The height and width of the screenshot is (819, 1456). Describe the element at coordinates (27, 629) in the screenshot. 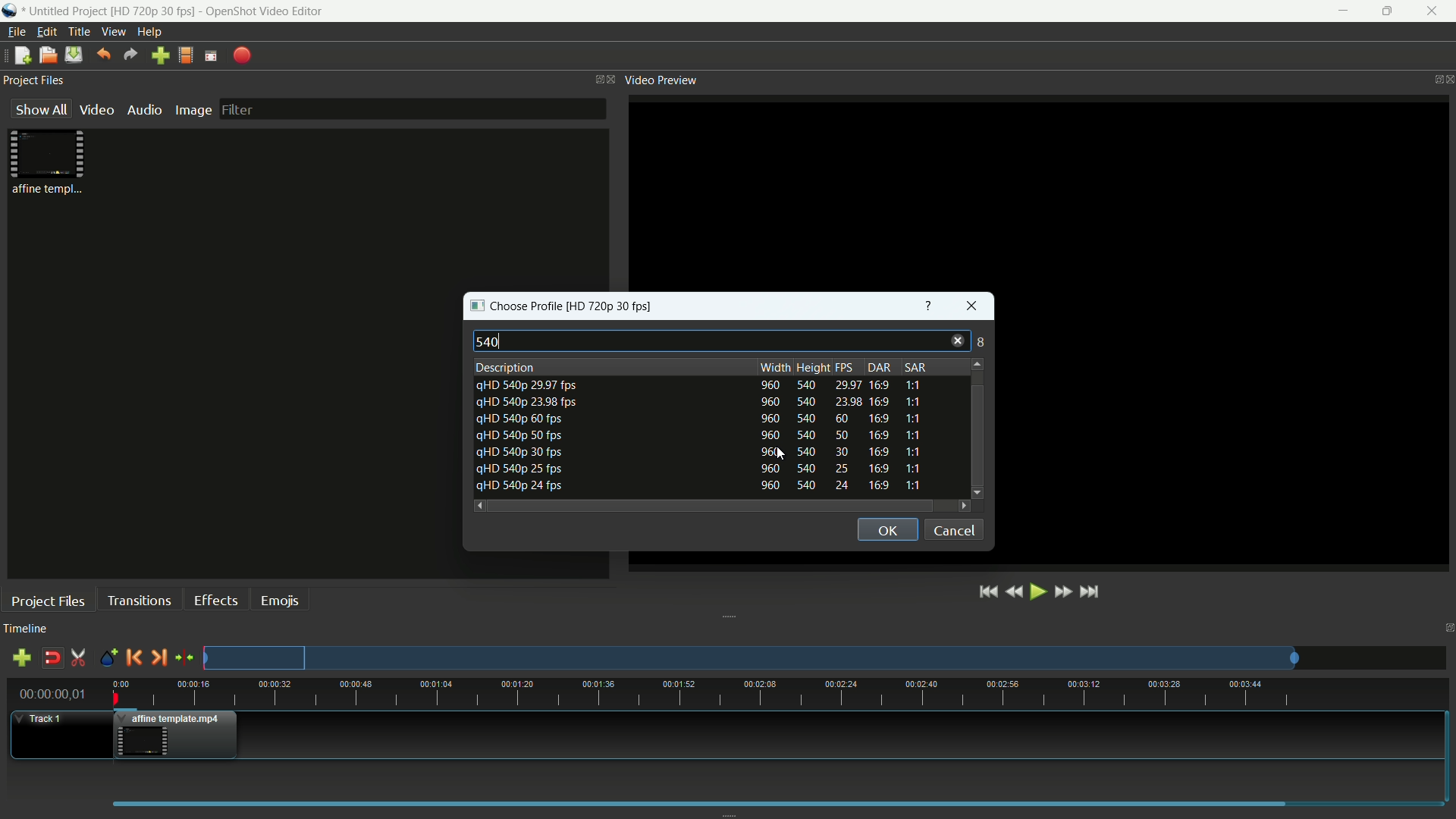

I see `timeline` at that location.